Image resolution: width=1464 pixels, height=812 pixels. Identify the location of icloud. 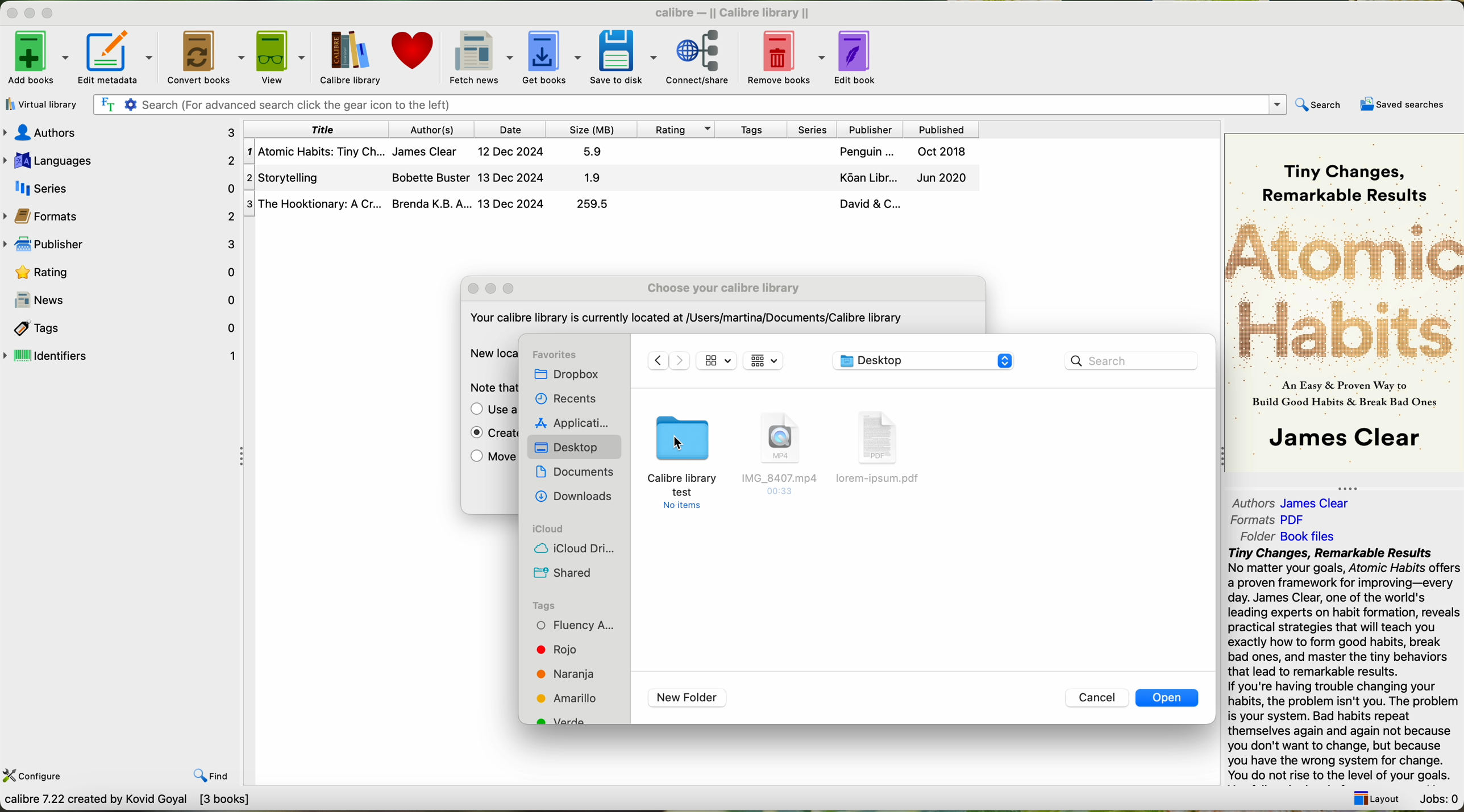
(548, 529).